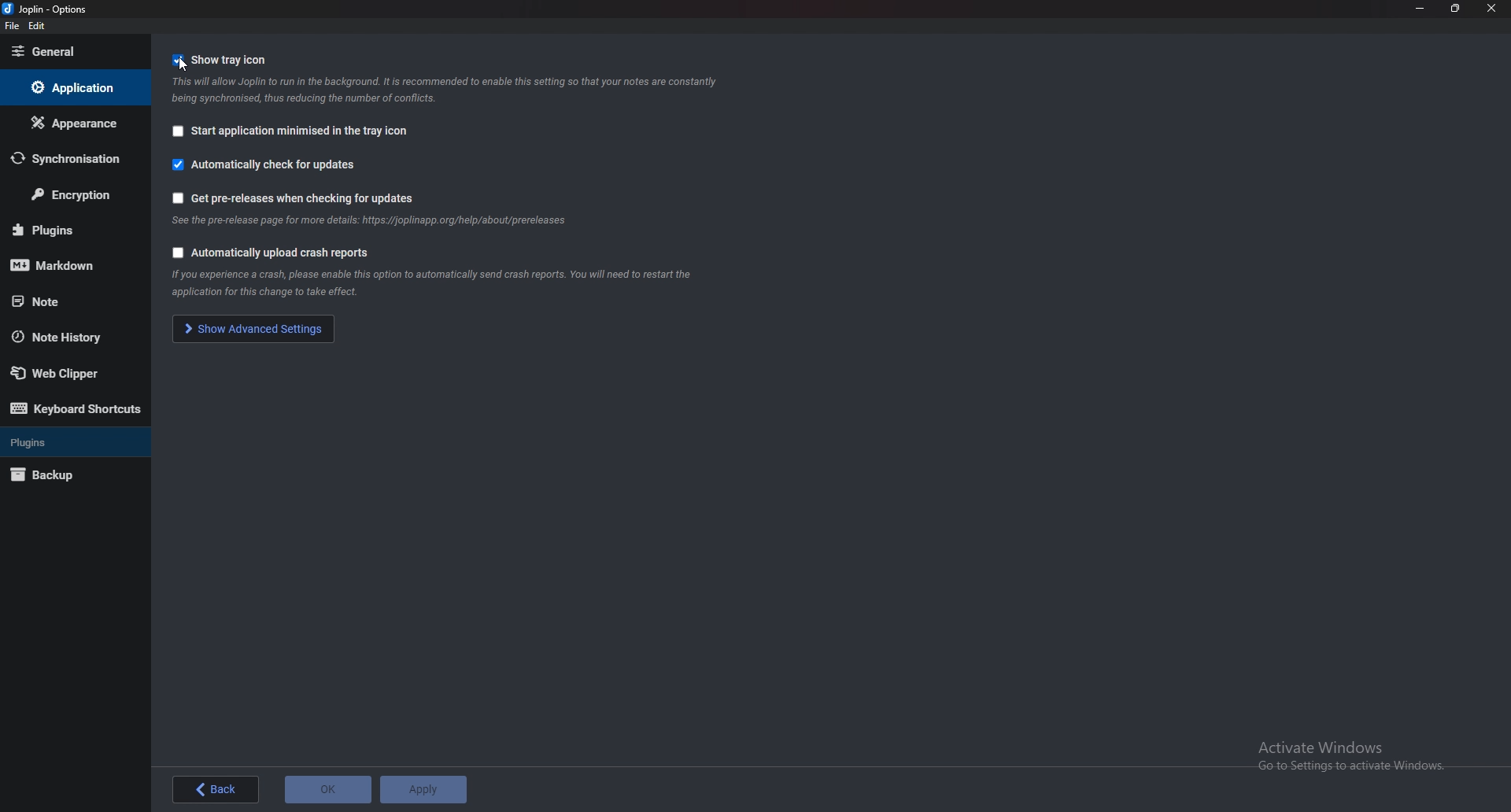 The height and width of the screenshot is (812, 1511). What do you see at coordinates (459, 284) in the screenshot?
I see `Info` at bounding box center [459, 284].